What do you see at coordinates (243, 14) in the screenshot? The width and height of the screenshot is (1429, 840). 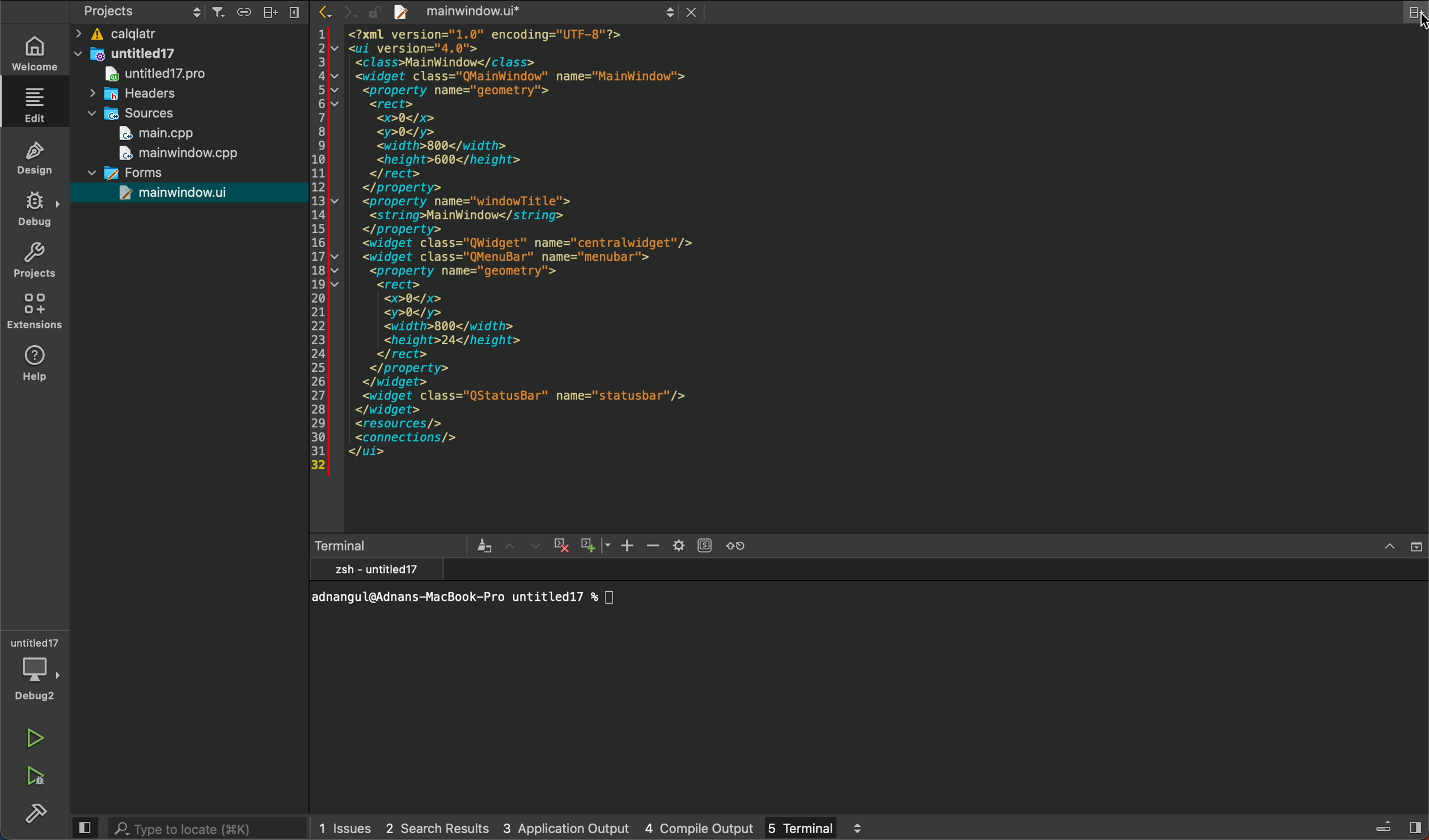 I see `syncronize with editor` at bounding box center [243, 14].